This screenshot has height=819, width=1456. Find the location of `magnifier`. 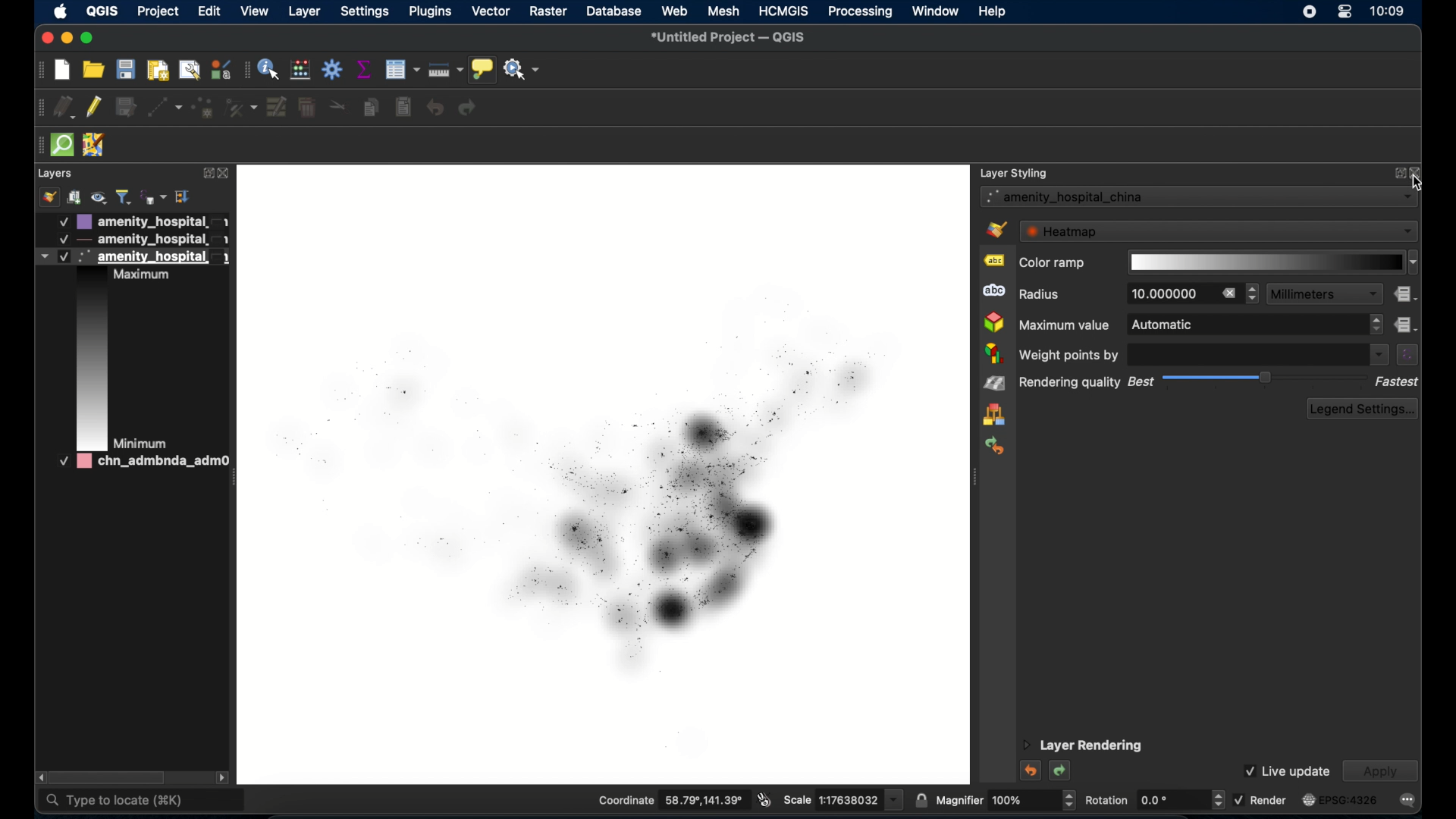

magnifier is located at coordinates (1005, 800).